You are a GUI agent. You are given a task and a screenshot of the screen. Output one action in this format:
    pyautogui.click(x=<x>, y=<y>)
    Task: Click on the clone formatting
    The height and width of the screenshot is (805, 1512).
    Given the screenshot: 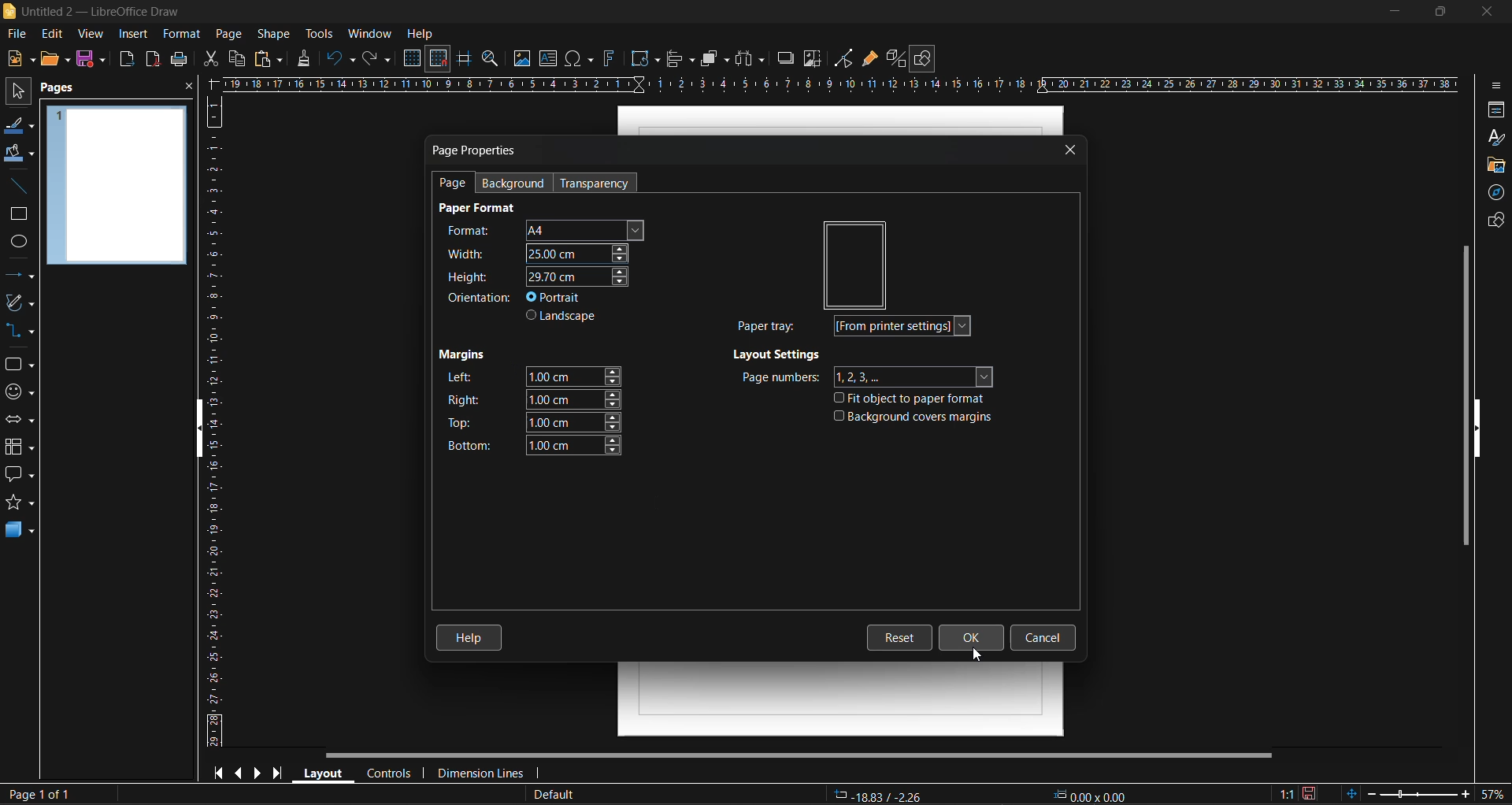 What is the action you would take?
    pyautogui.click(x=308, y=60)
    